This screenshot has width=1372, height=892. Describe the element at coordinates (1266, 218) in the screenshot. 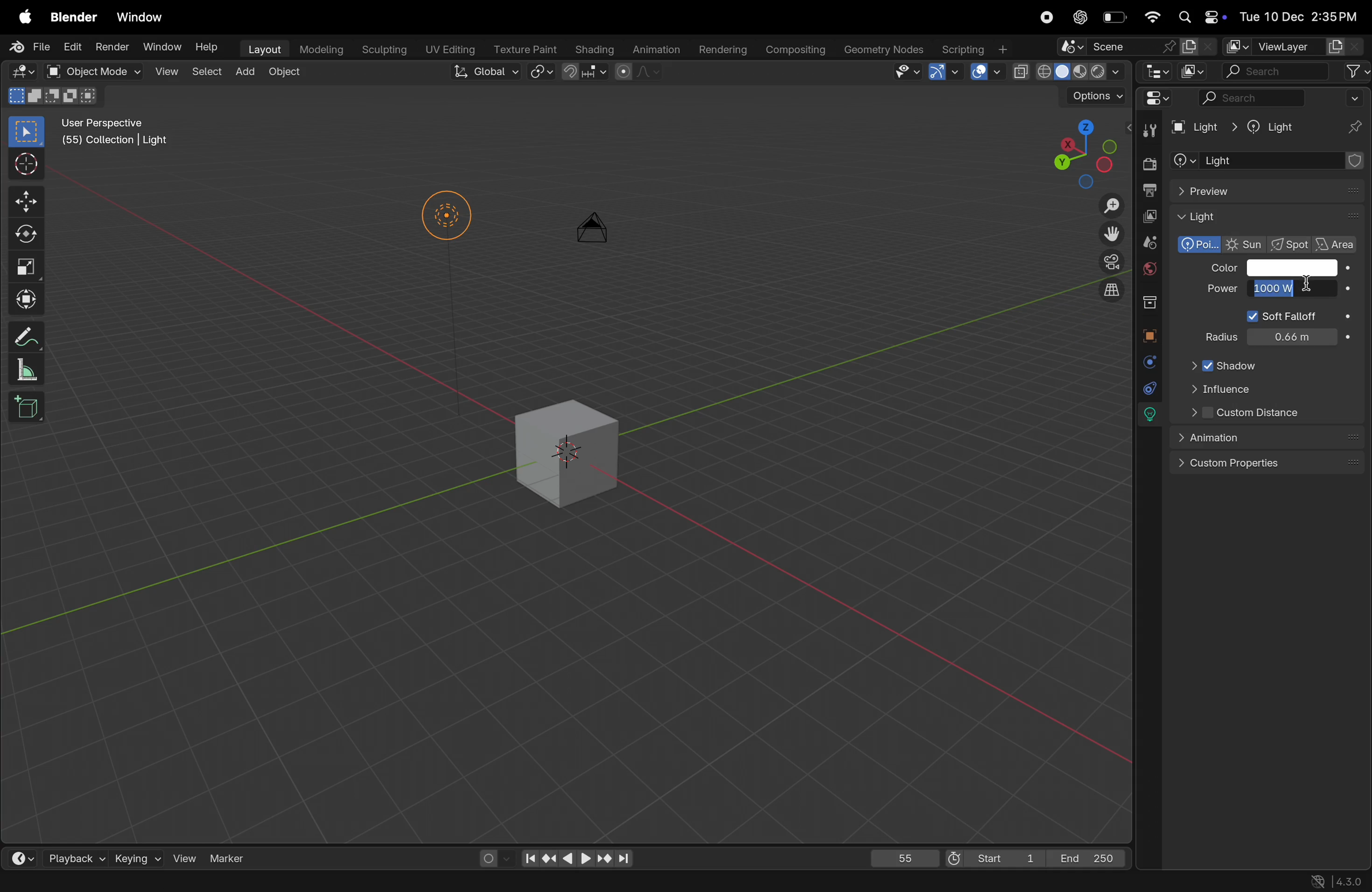

I see `Light` at that location.